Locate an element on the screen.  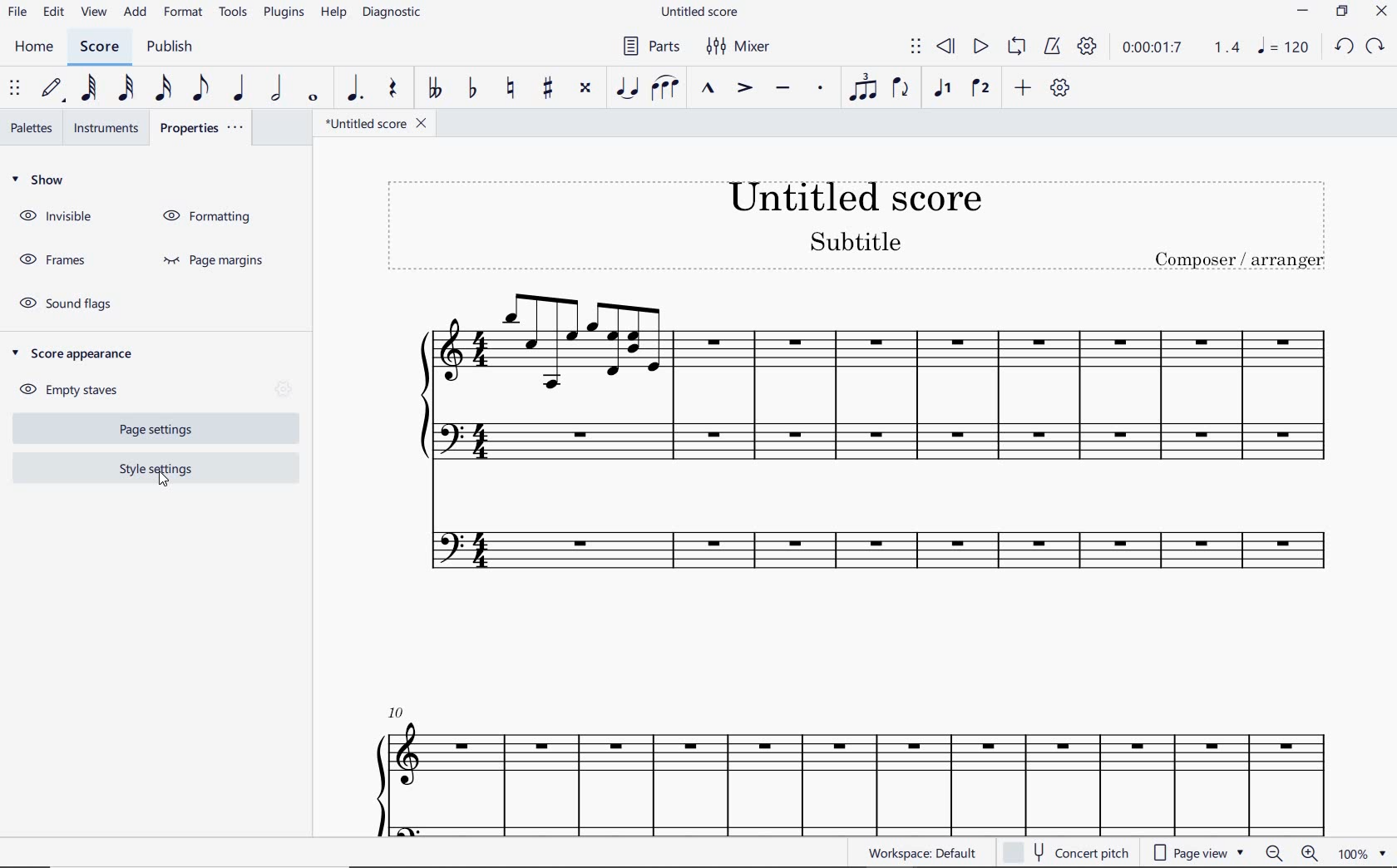
TOGGLE DOUBLE-FLAT is located at coordinates (435, 87).